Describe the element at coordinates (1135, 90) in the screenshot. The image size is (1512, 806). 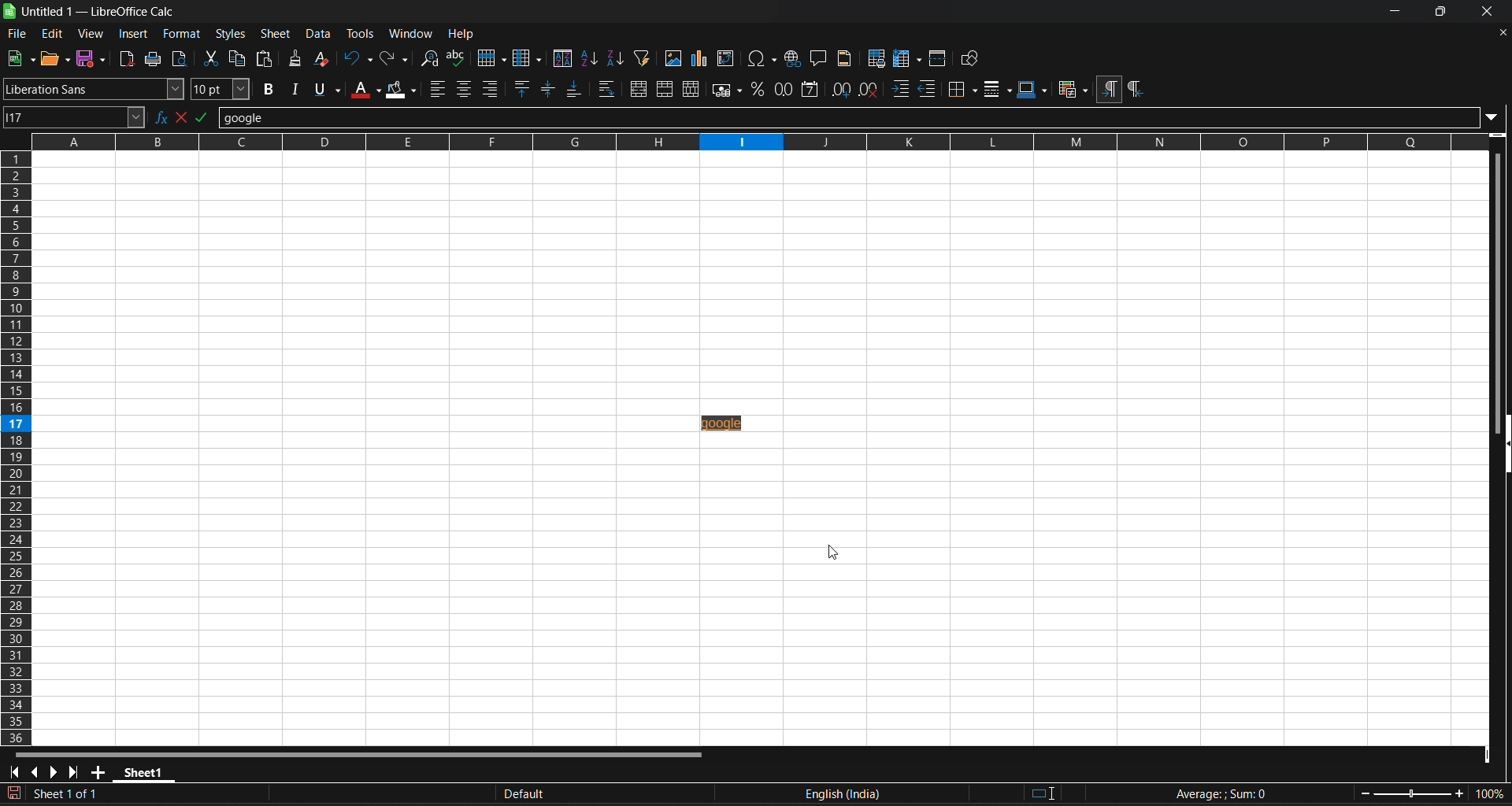
I see `right to left` at that location.